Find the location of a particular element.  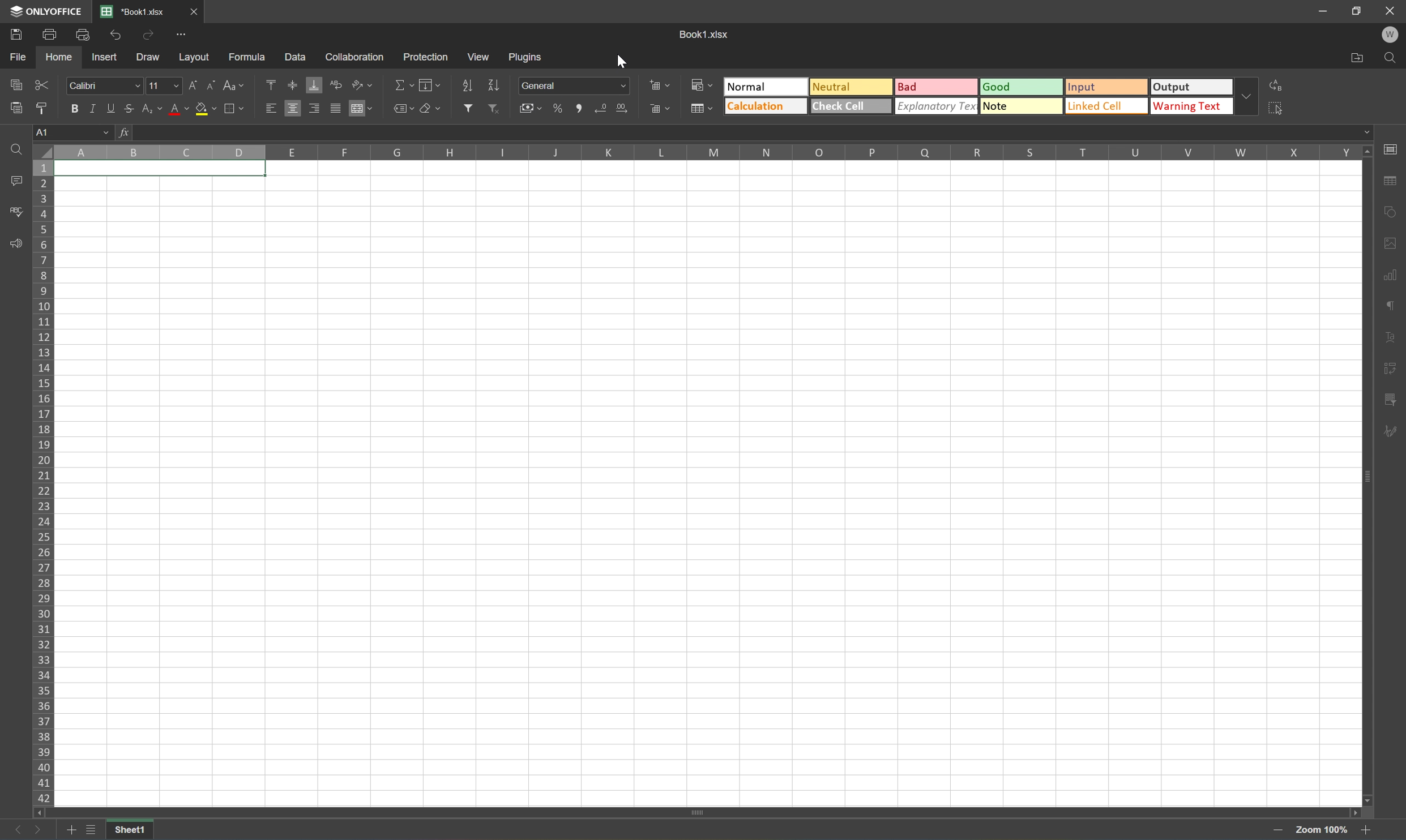

Row numbers is located at coordinates (42, 485).